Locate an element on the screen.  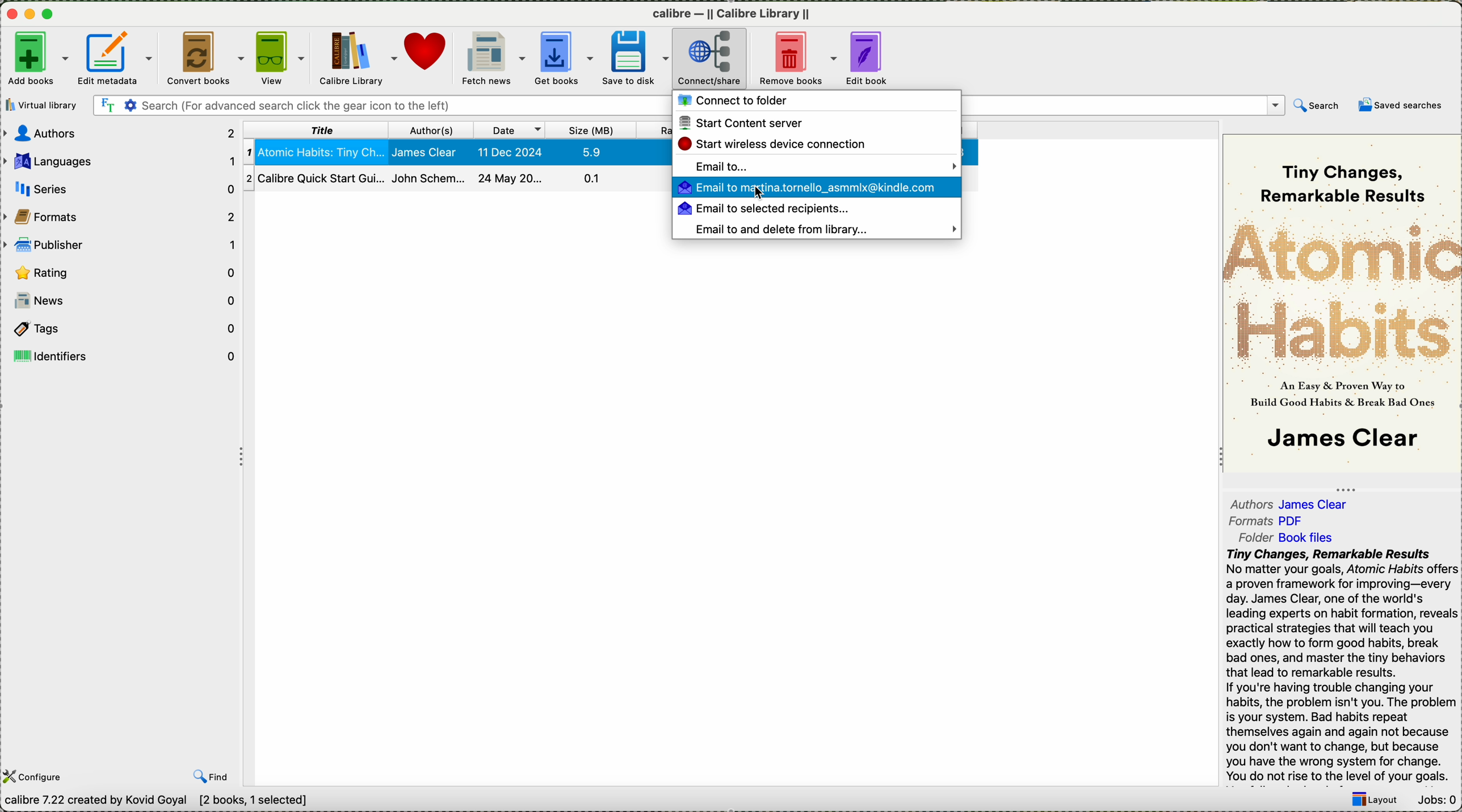
edit book is located at coordinates (875, 57).